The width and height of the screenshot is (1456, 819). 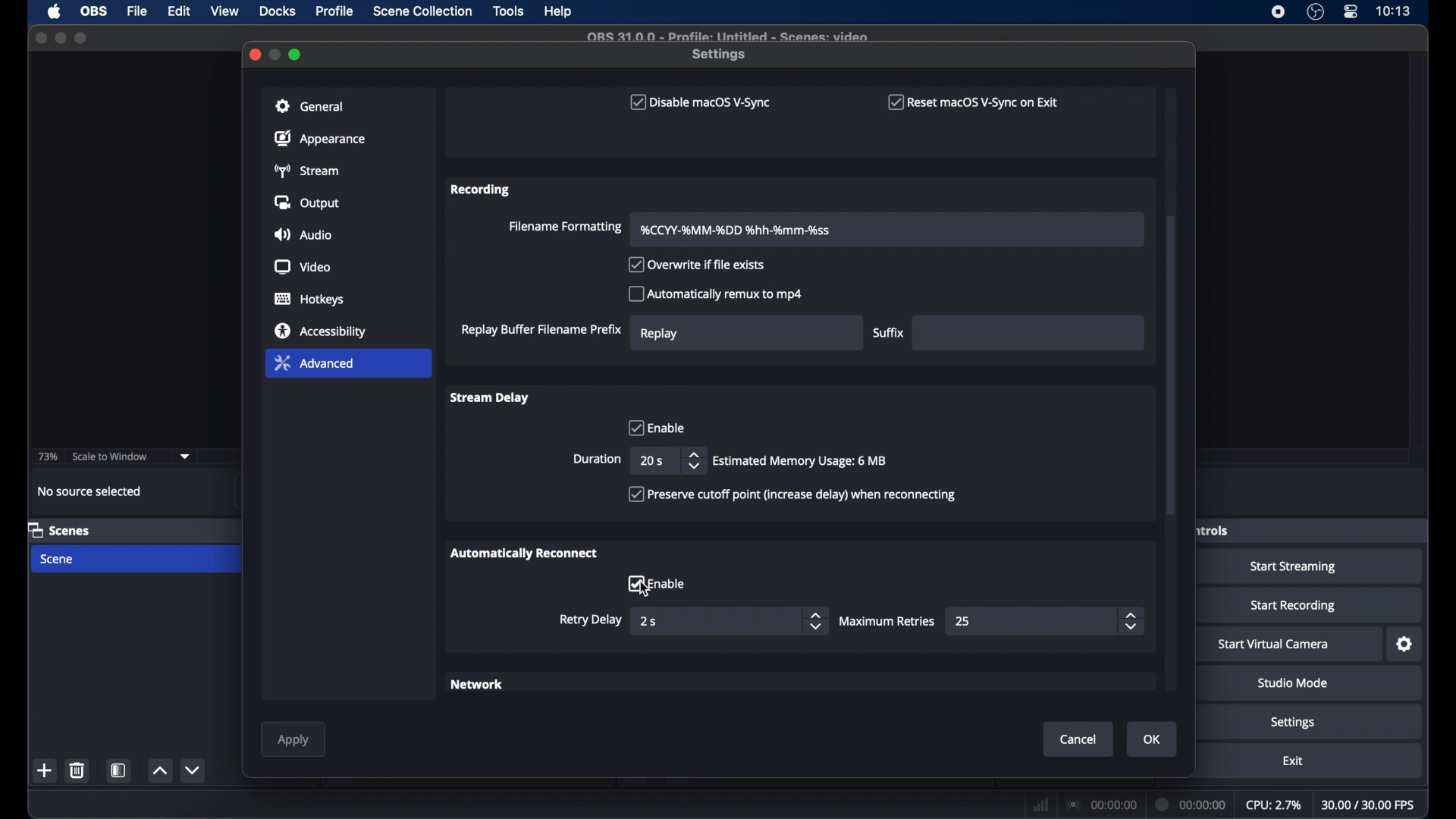 I want to click on add, so click(x=45, y=770).